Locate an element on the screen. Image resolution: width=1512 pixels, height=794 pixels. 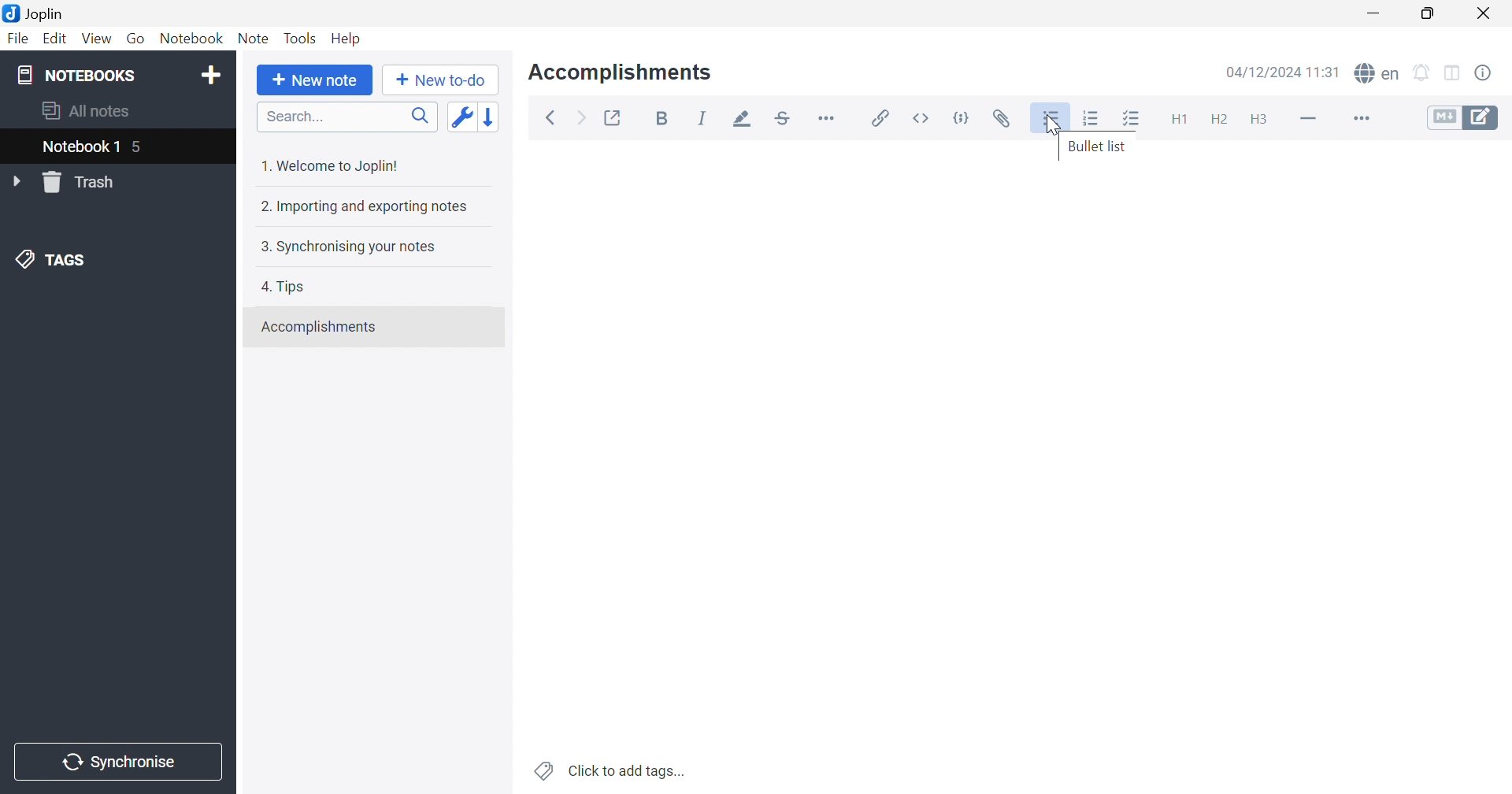
Toggle external editing is located at coordinates (612, 117).